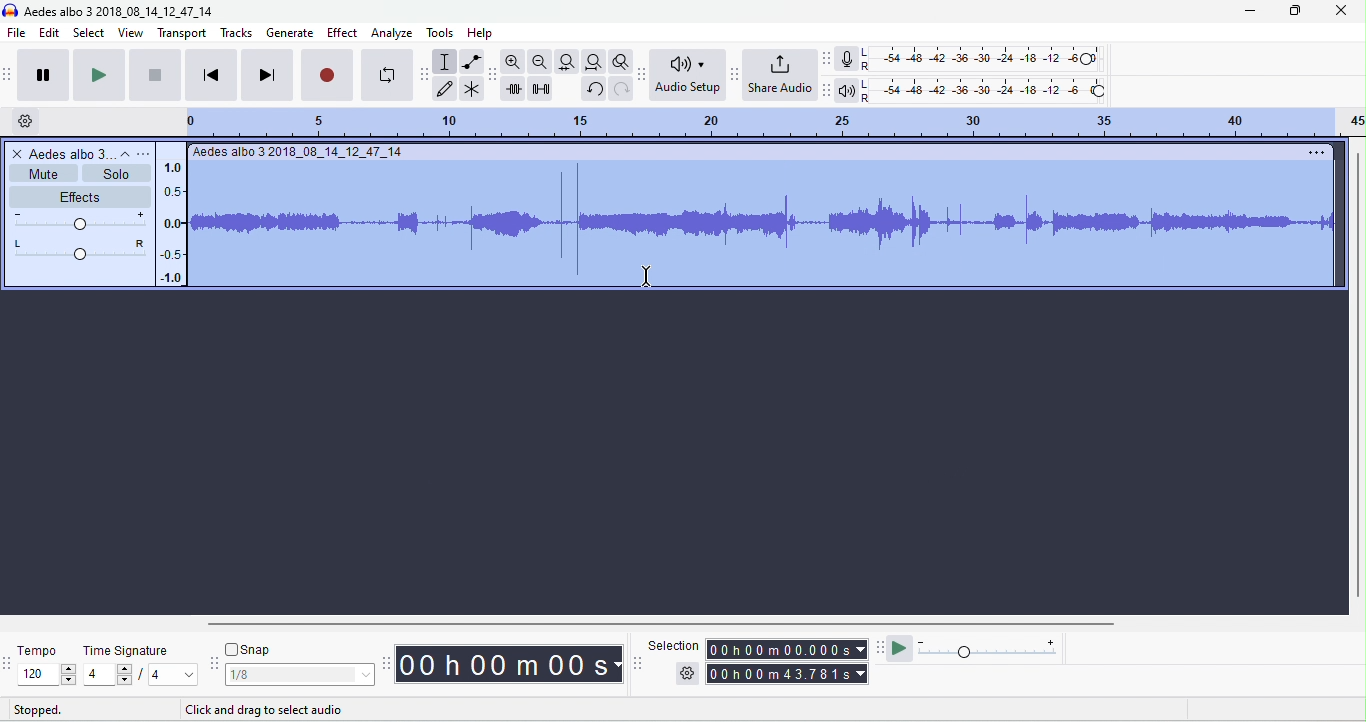 The image size is (1366, 722). Describe the element at coordinates (266, 75) in the screenshot. I see `skip to end` at that location.